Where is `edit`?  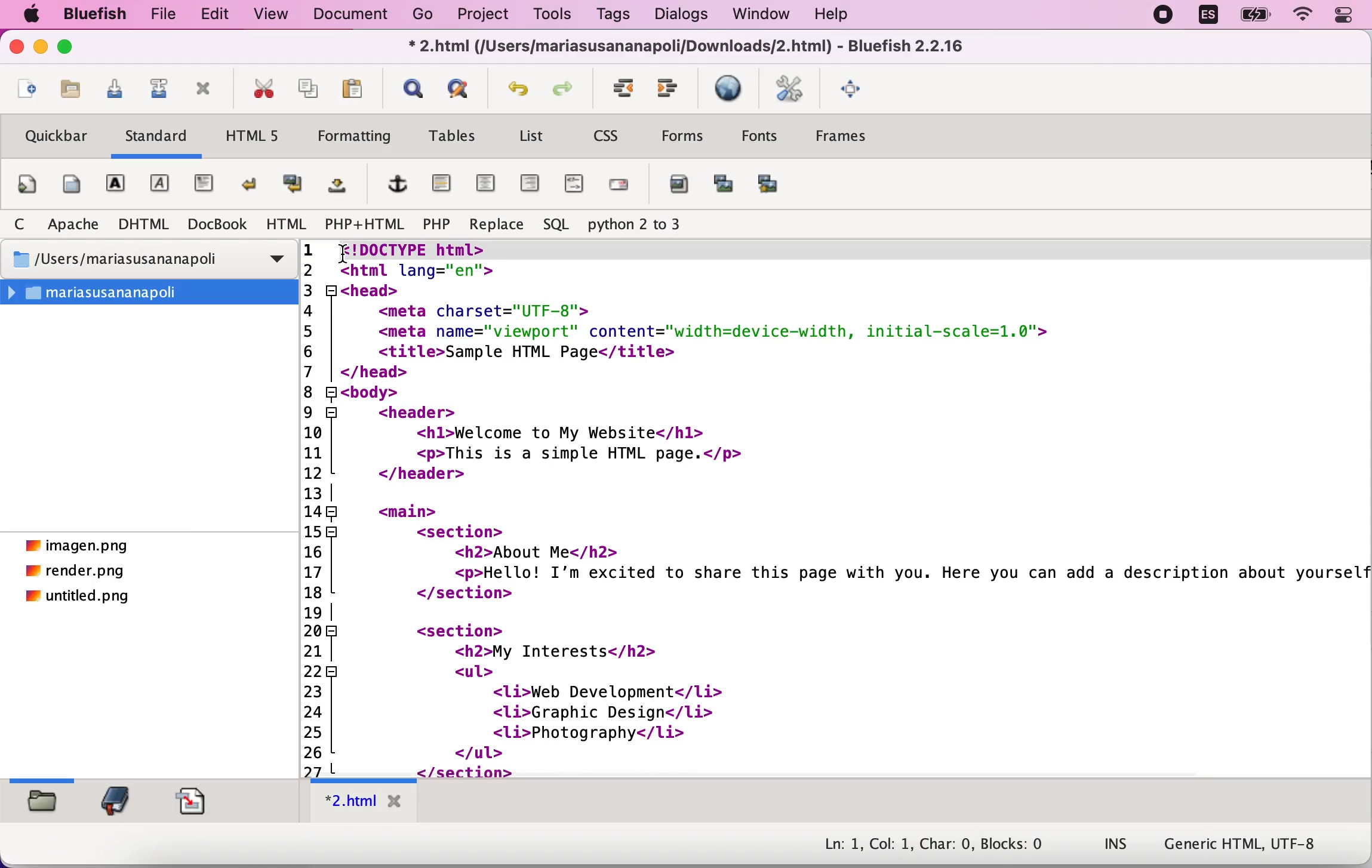 edit is located at coordinates (217, 14).